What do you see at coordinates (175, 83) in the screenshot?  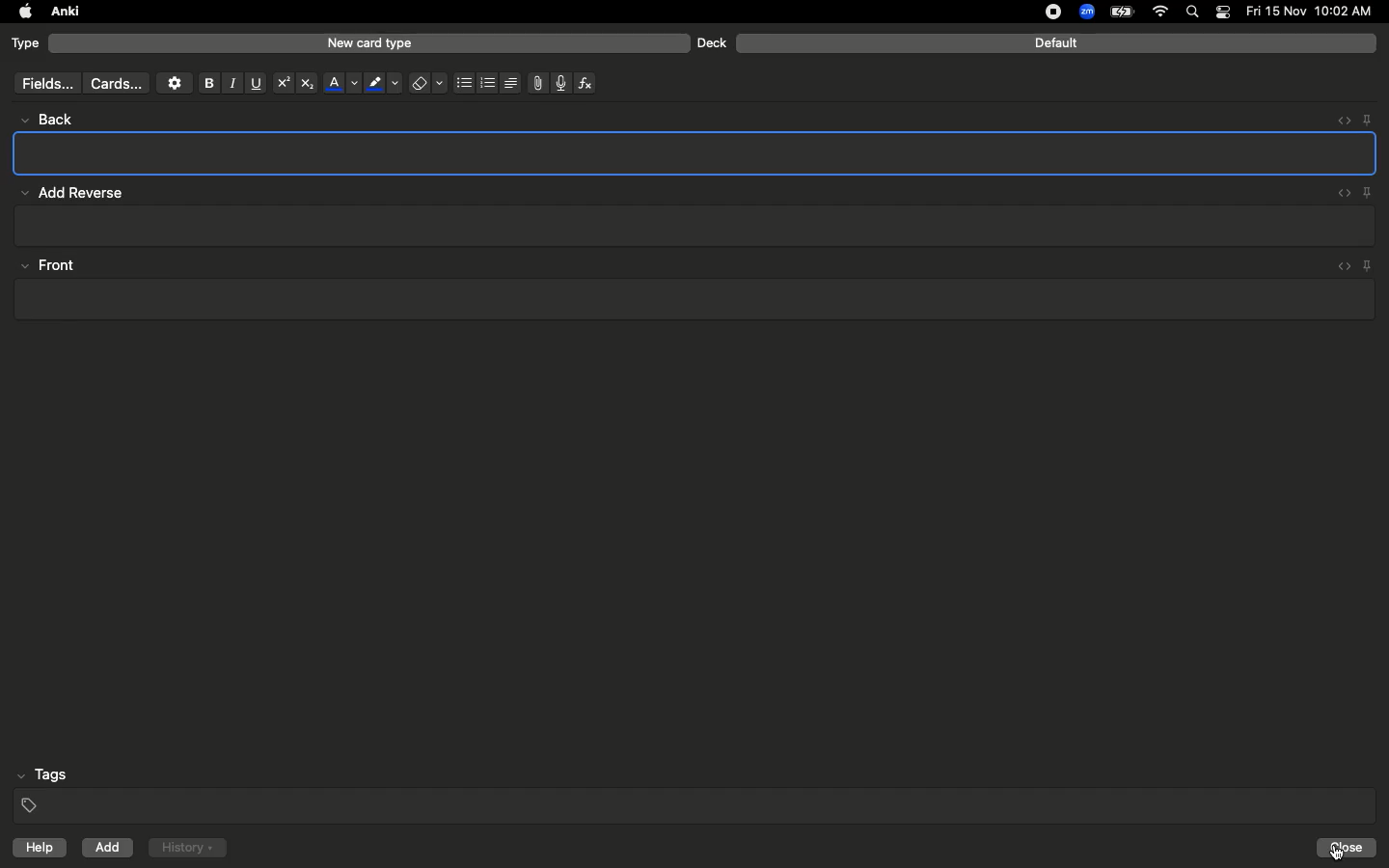 I see `Settings` at bounding box center [175, 83].